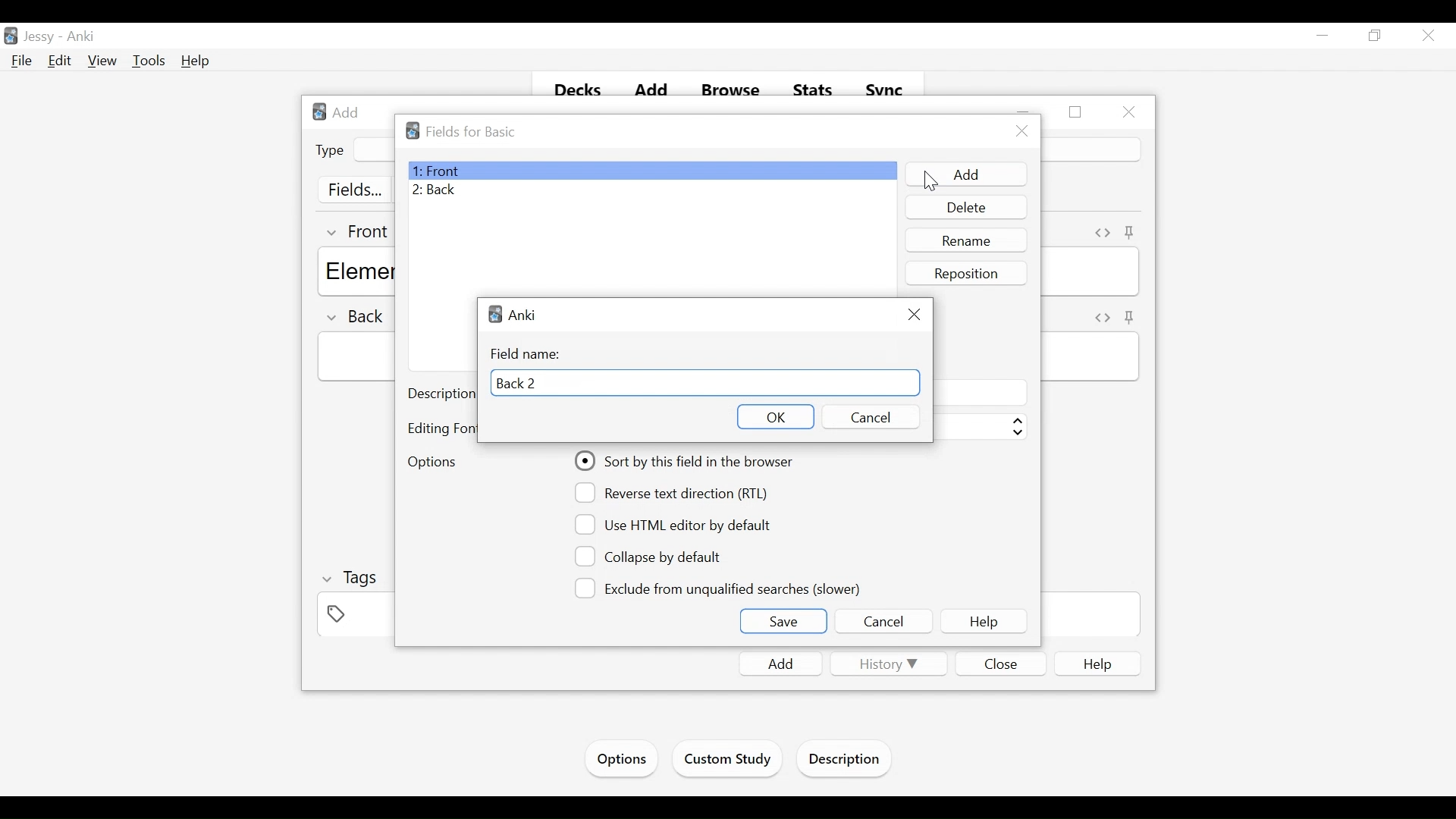 Image resolution: width=1456 pixels, height=819 pixels. What do you see at coordinates (984, 622) in the screenshot?
I see `Help` at bounding box center [984, 622].